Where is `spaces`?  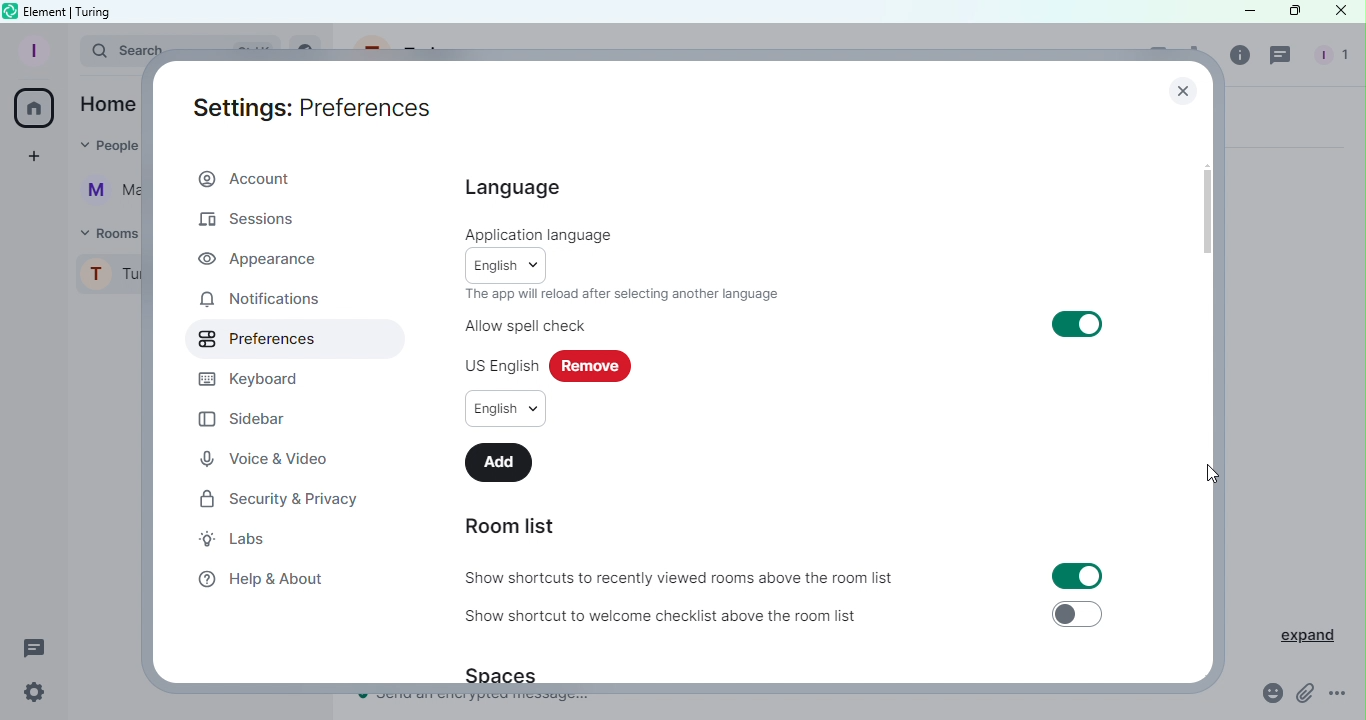 spaces is located at coordinates (509, 676).